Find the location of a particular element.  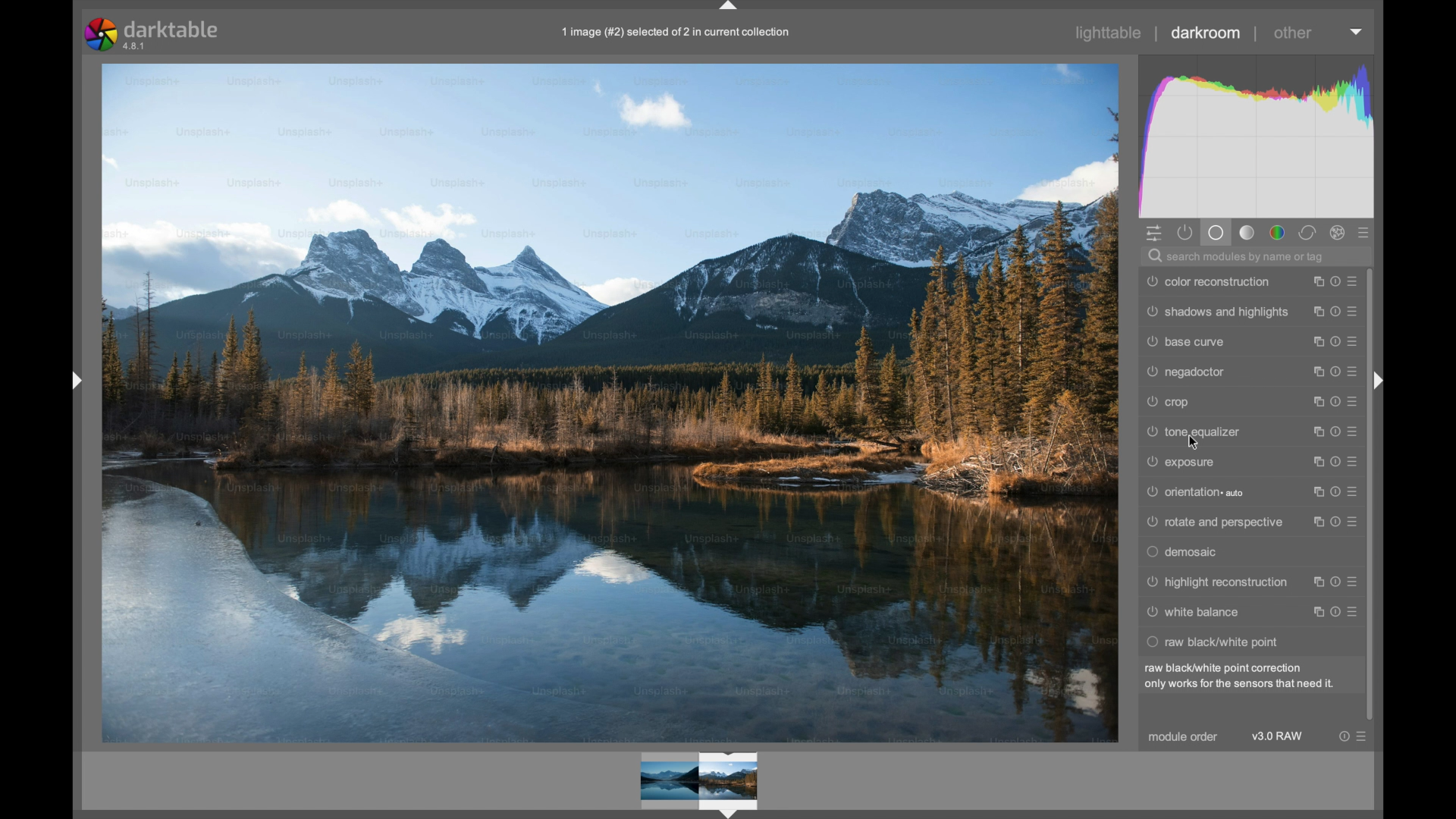

instance is located at coordinates (1314, 281).